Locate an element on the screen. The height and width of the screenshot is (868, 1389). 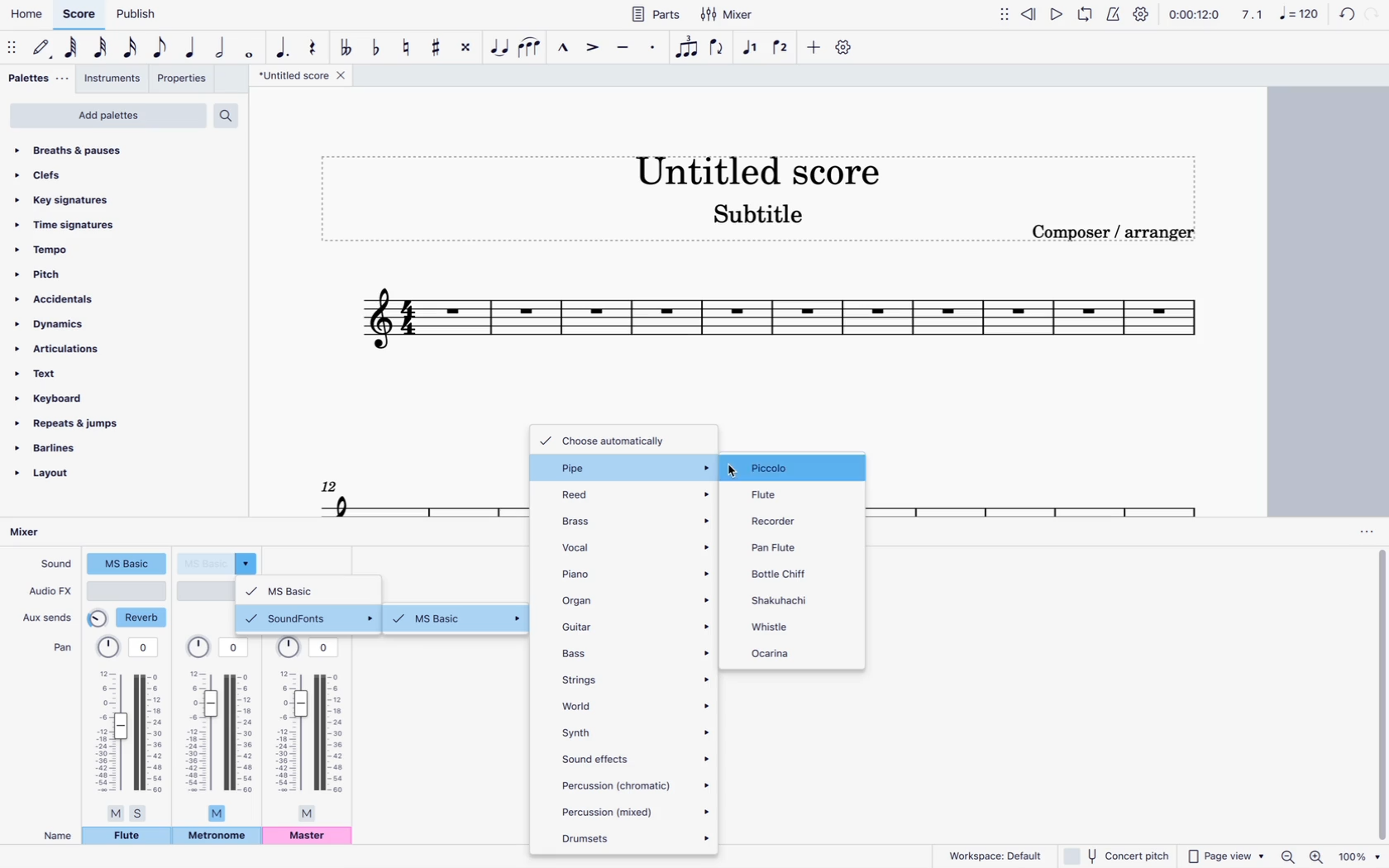
barlines is located at coordinates (79, 447).